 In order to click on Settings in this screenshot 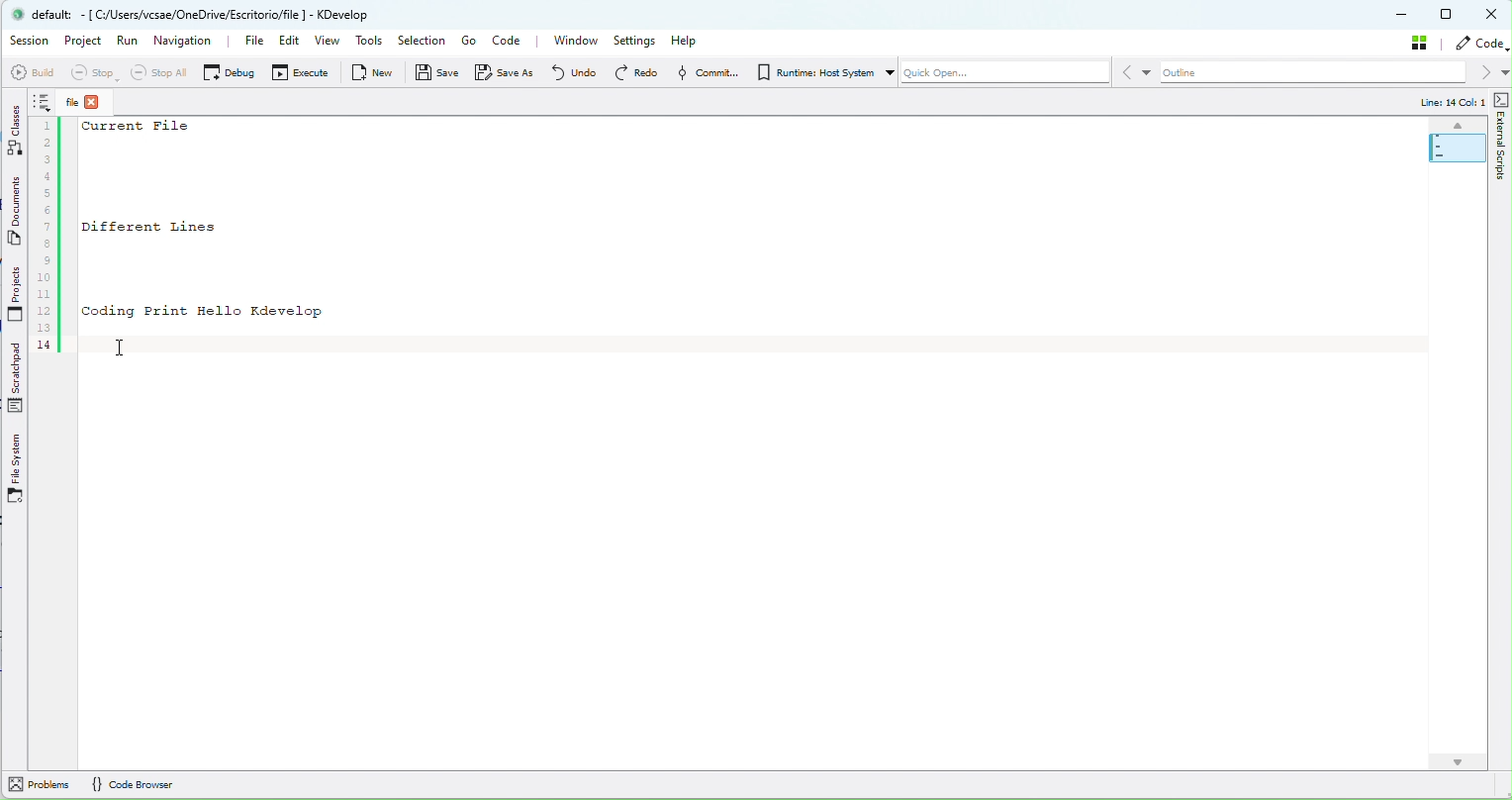, I will do `click(637, 41)`.